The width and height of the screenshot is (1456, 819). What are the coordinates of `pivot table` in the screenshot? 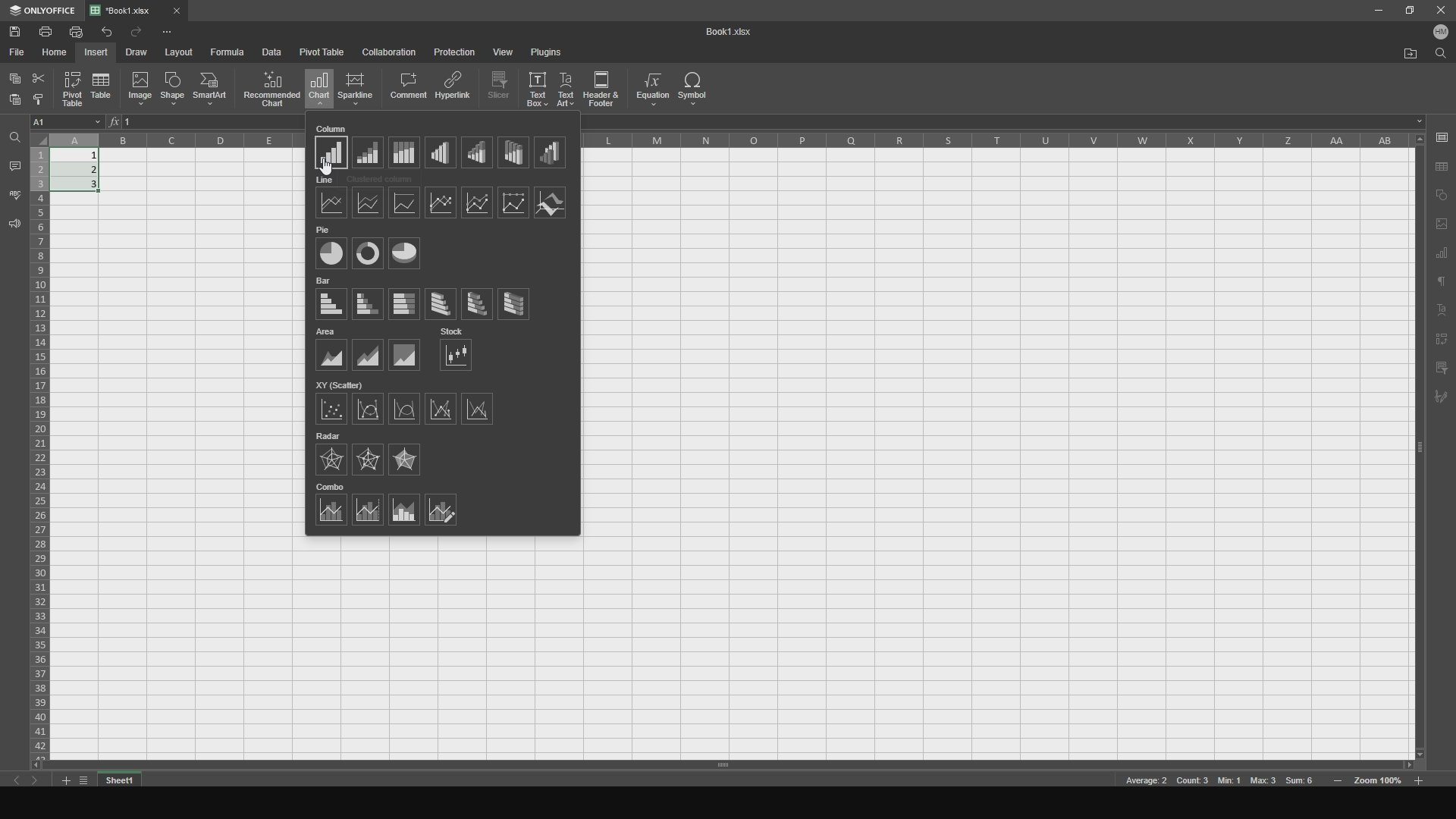 It's located at (68, 87).